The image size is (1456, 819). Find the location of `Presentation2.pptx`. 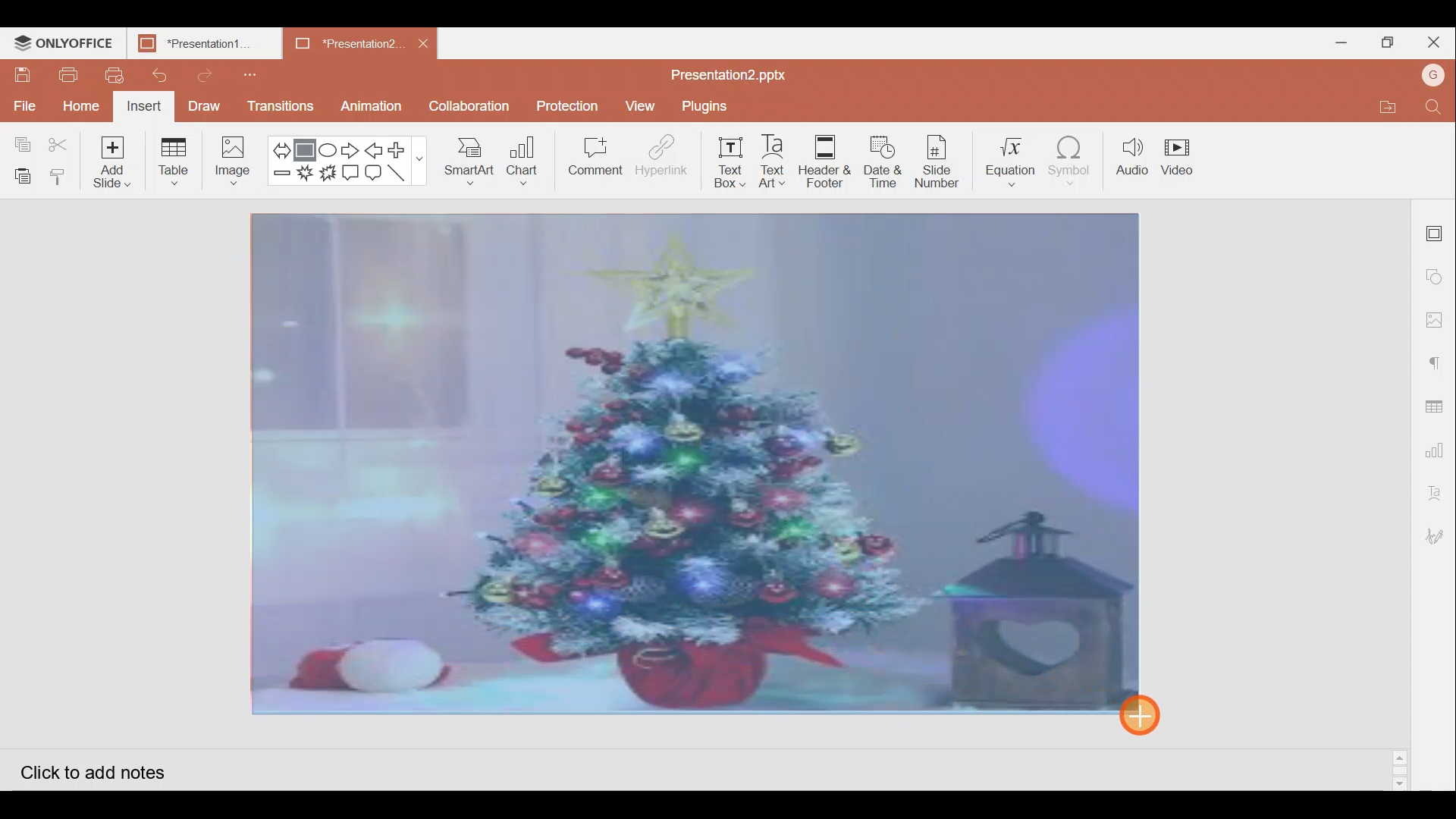

Presentation2.pptx is located at coordinates (740, 72).